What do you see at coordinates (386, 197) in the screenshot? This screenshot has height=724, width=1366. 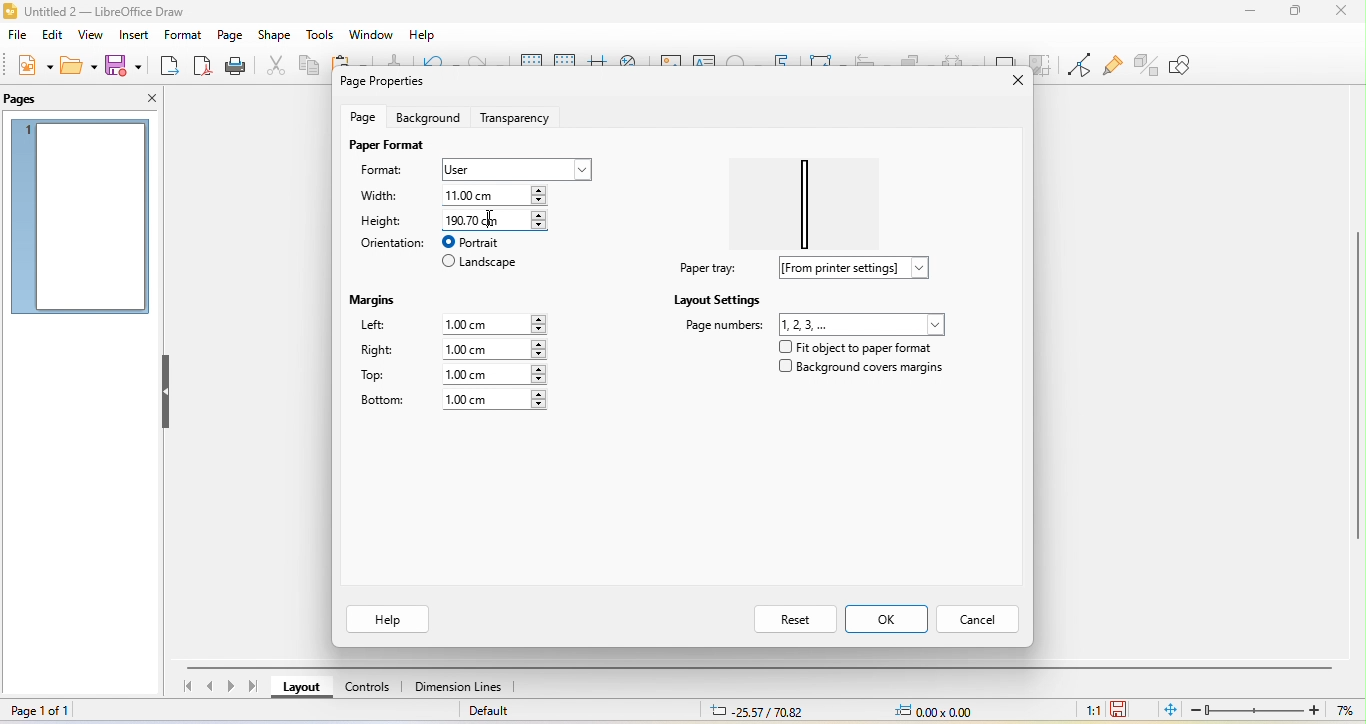 I see `width` at bounding box center [386, 197].